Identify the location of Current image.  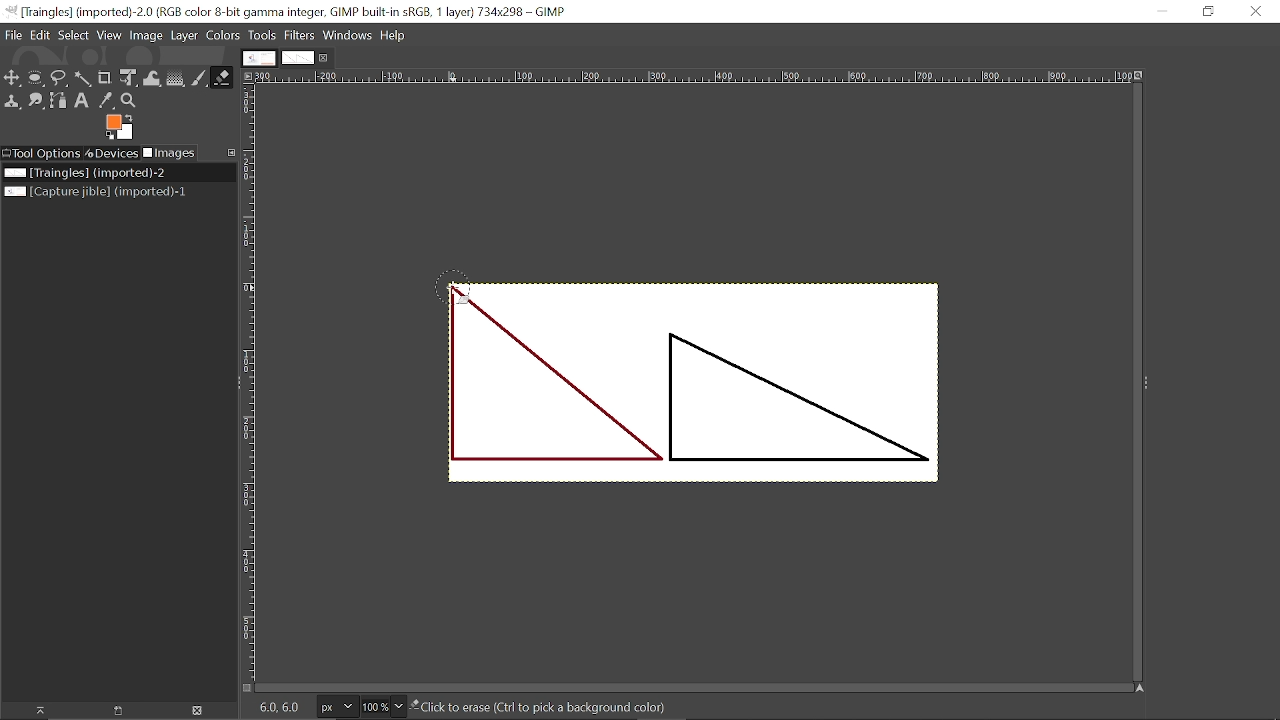
(85, 173).